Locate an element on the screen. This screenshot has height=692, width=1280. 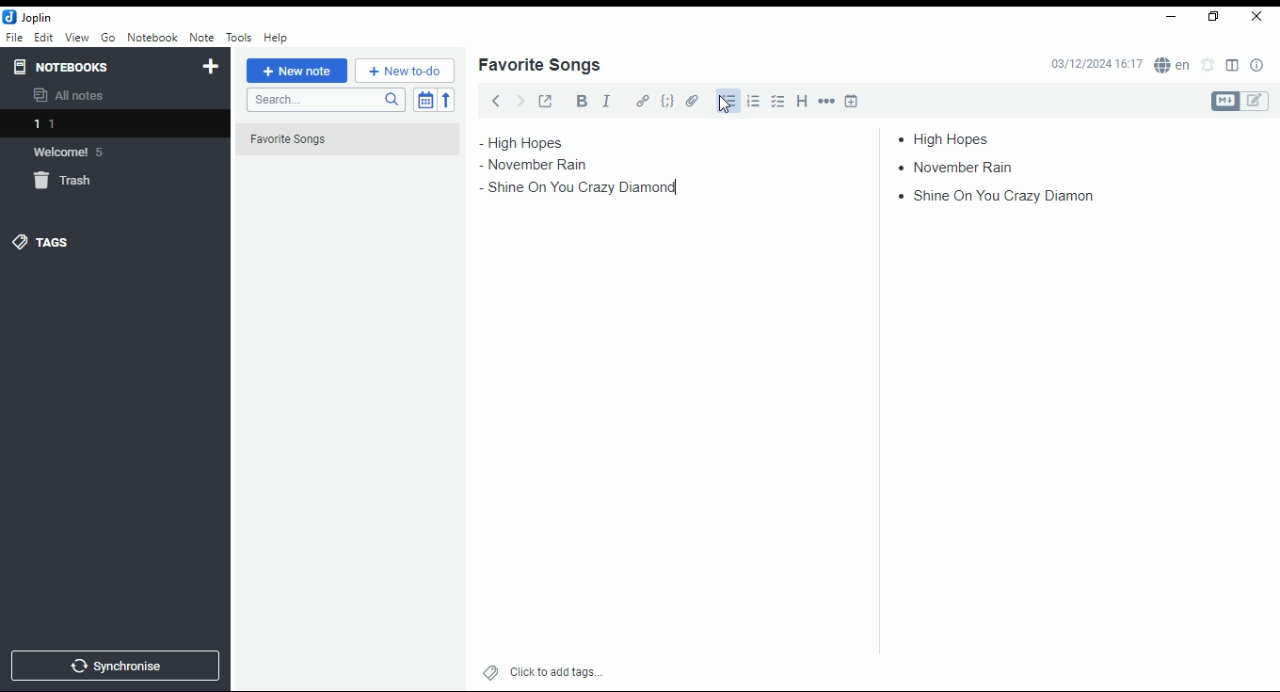
number list is located at coordinates (754, 100).